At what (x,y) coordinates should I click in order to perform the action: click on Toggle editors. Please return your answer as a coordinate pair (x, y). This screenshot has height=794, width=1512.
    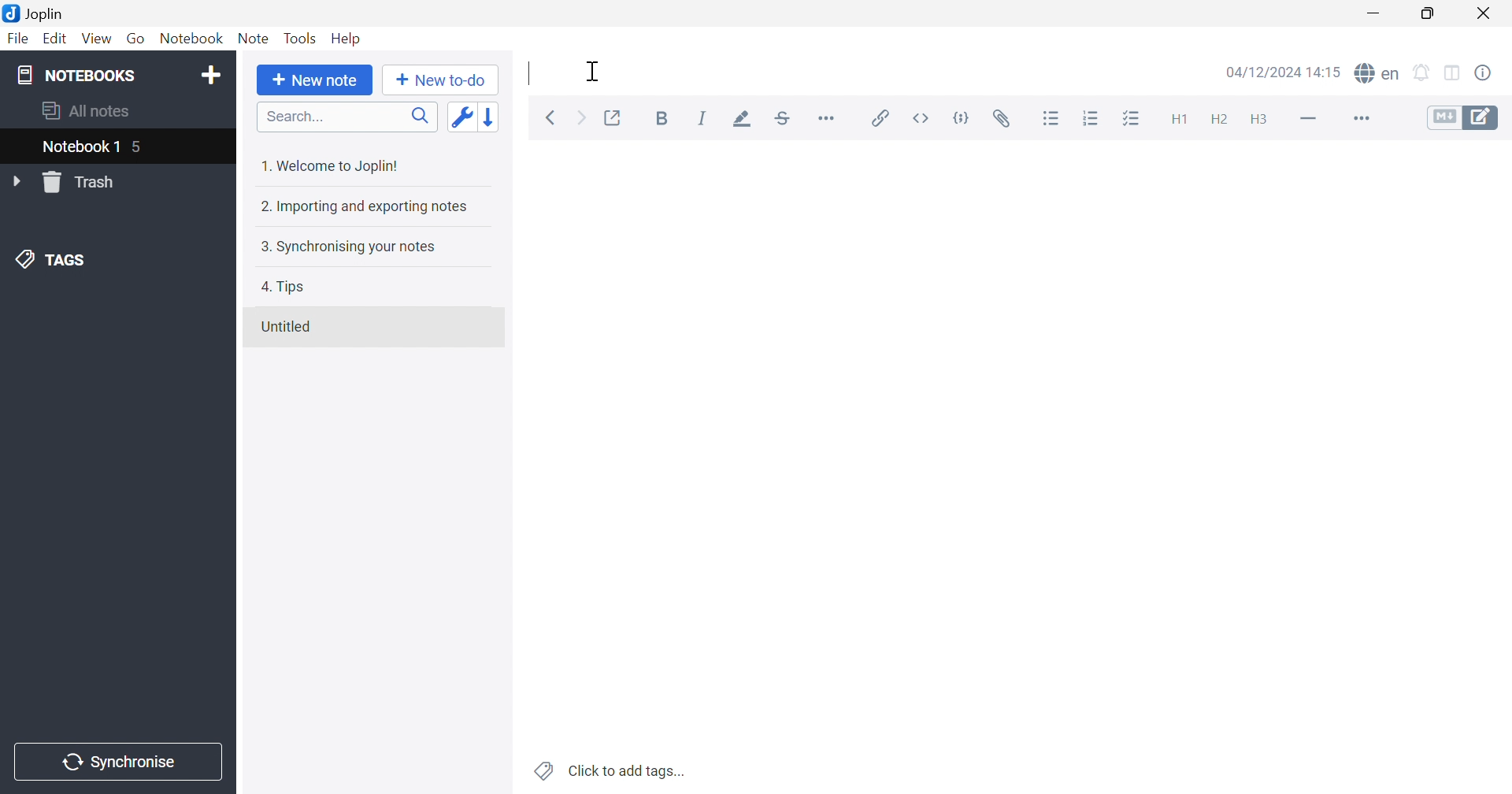
    Looking at the image, I should click on (1463, 117).